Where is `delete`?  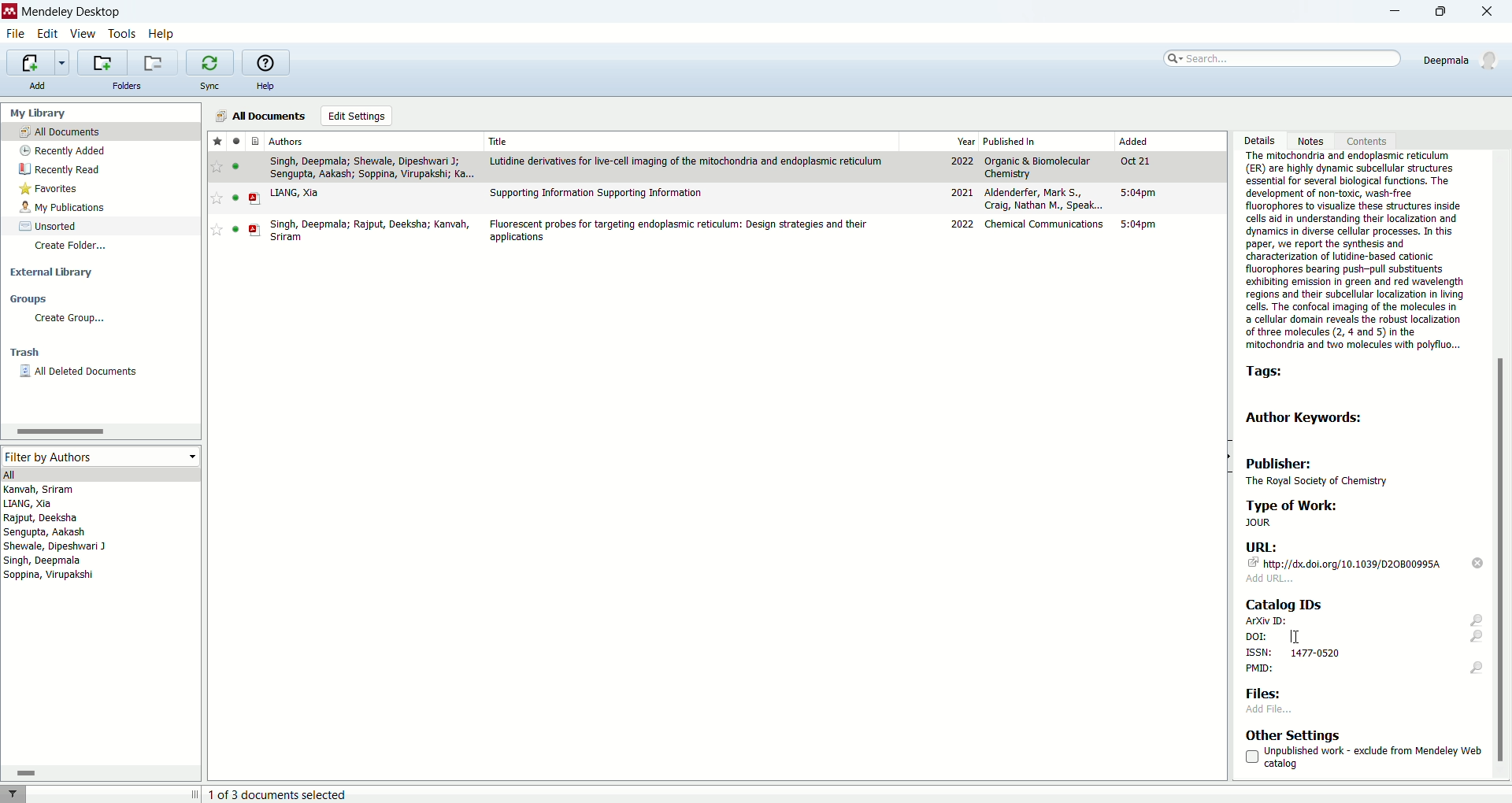
delete is located at coordinates (1479, 563).